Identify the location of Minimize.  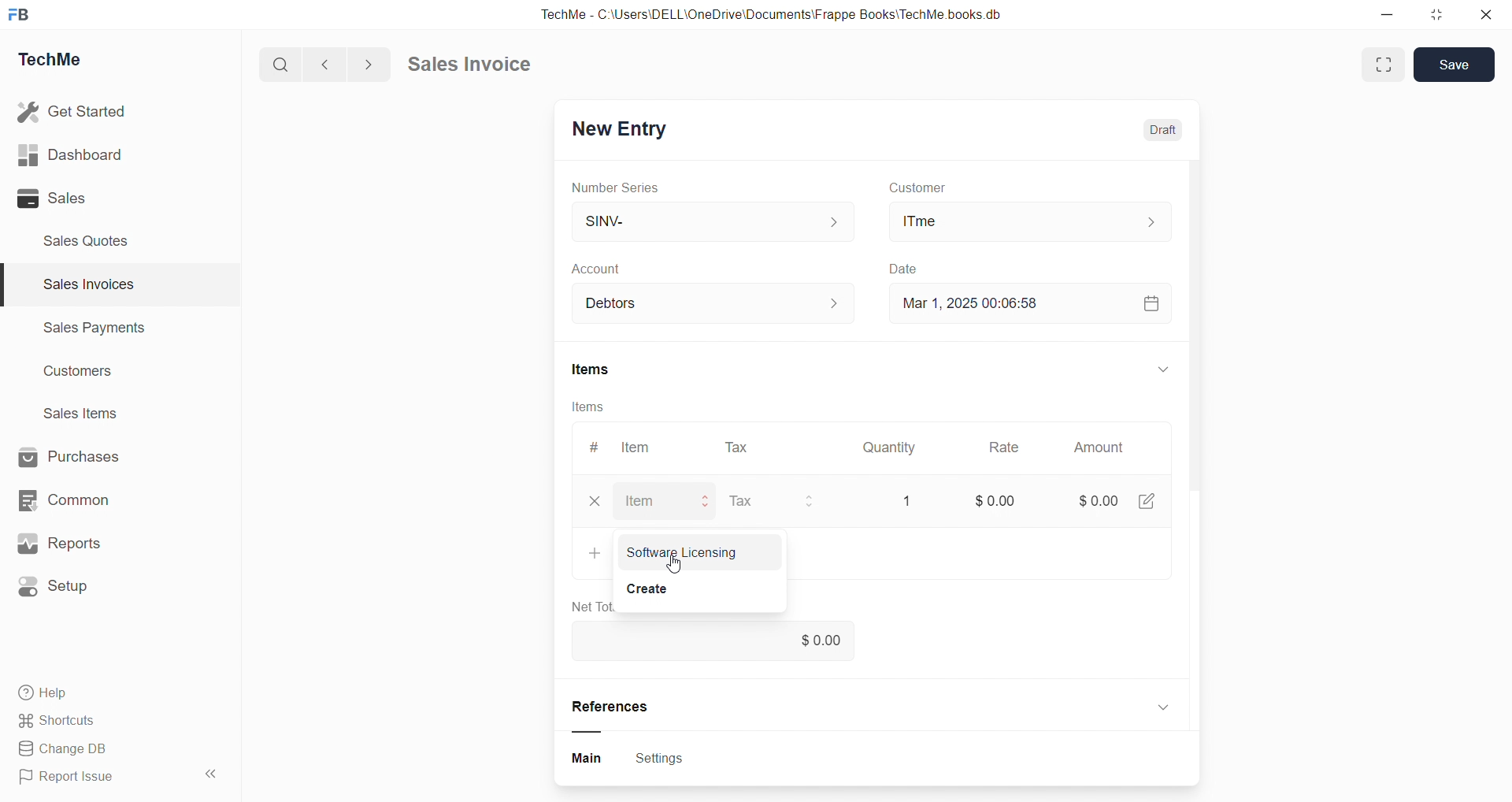
(1392, 16).